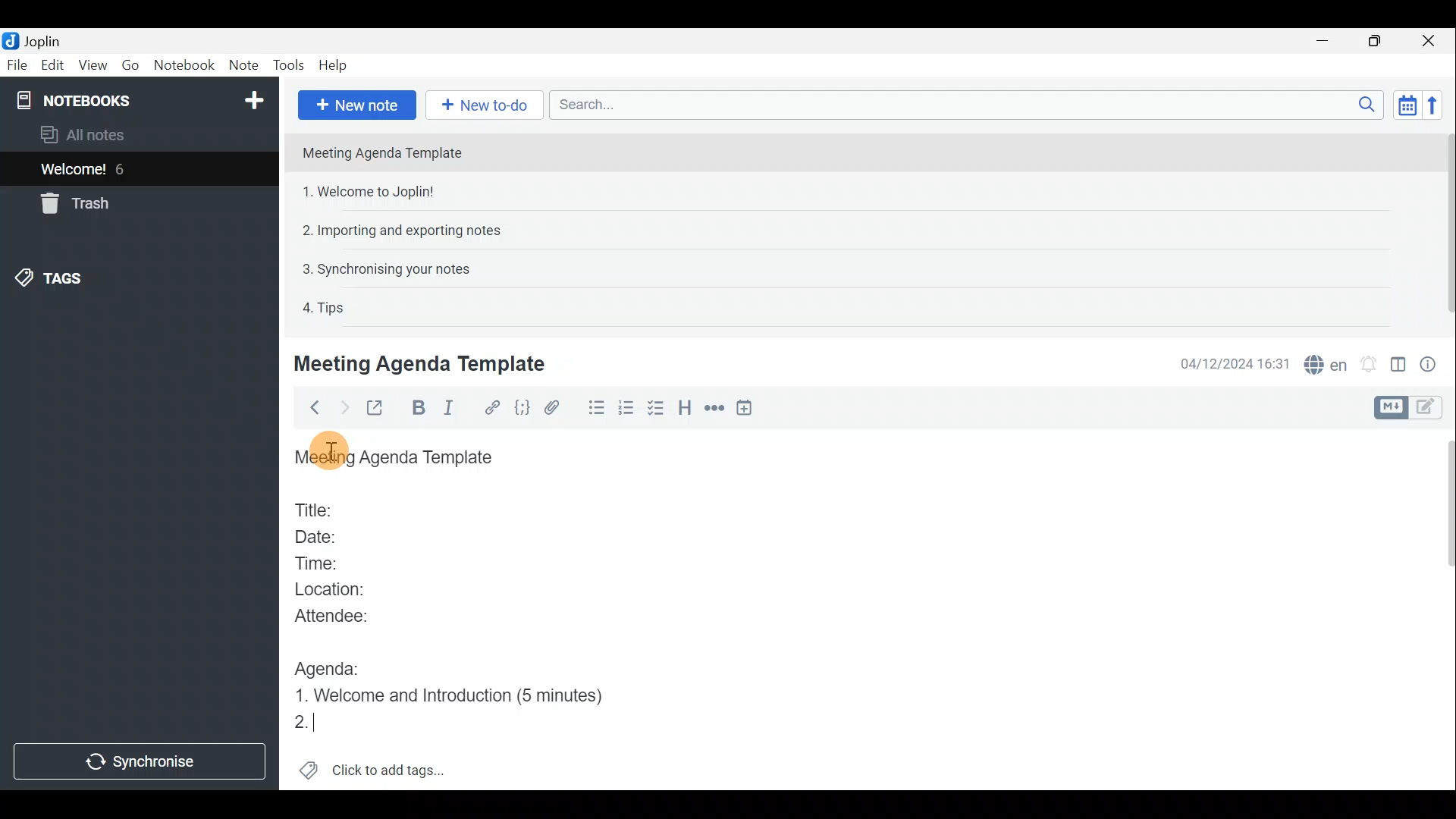  I want to click on Minimise, so click(1325, 40).